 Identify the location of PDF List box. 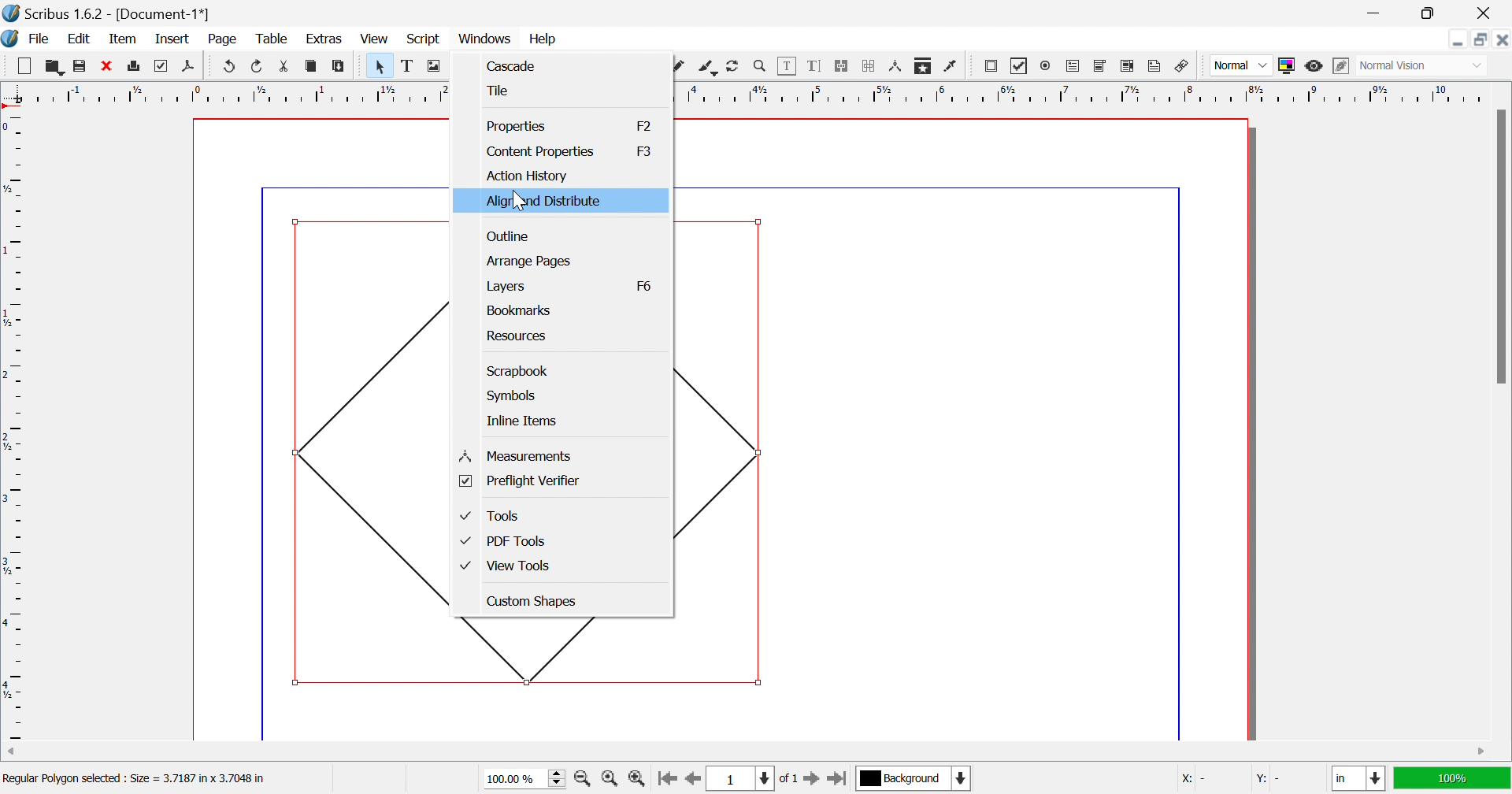
(1128, 65).